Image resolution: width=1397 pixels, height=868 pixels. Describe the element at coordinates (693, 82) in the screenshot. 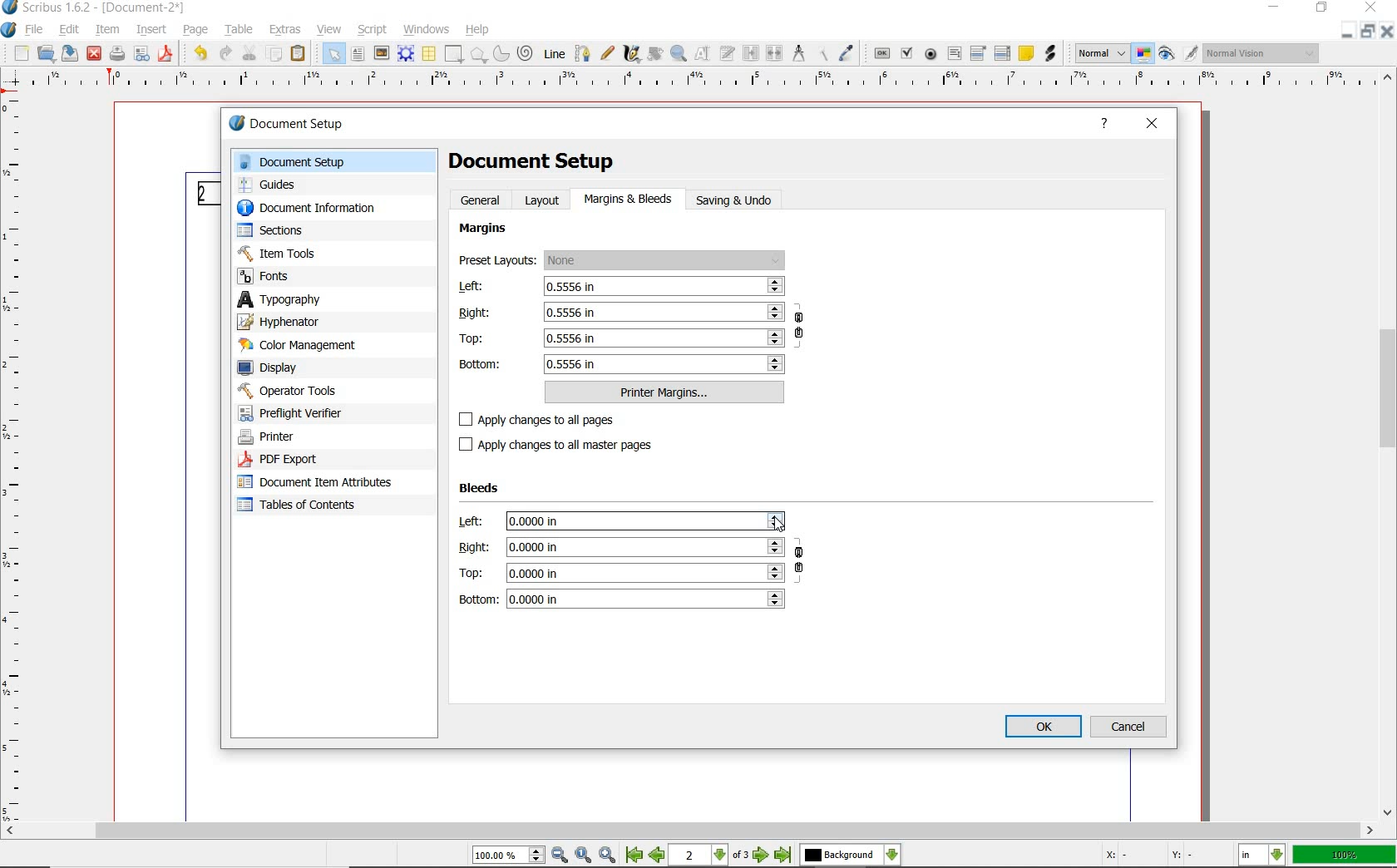

I see `Horizontal MArgin` at that location.